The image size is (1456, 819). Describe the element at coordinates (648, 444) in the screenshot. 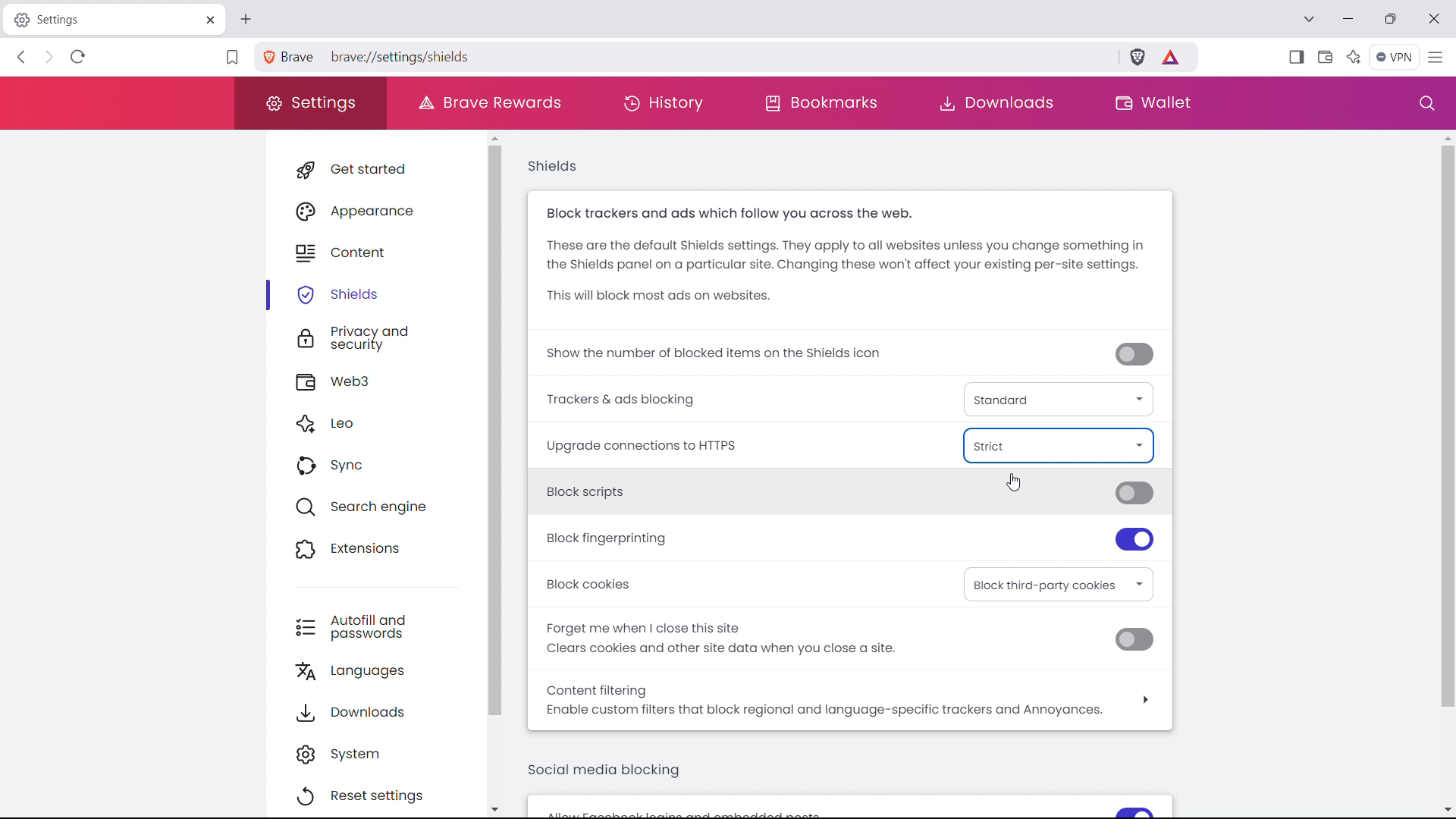

I see `Upgrade connections to HTTPS` at that location.